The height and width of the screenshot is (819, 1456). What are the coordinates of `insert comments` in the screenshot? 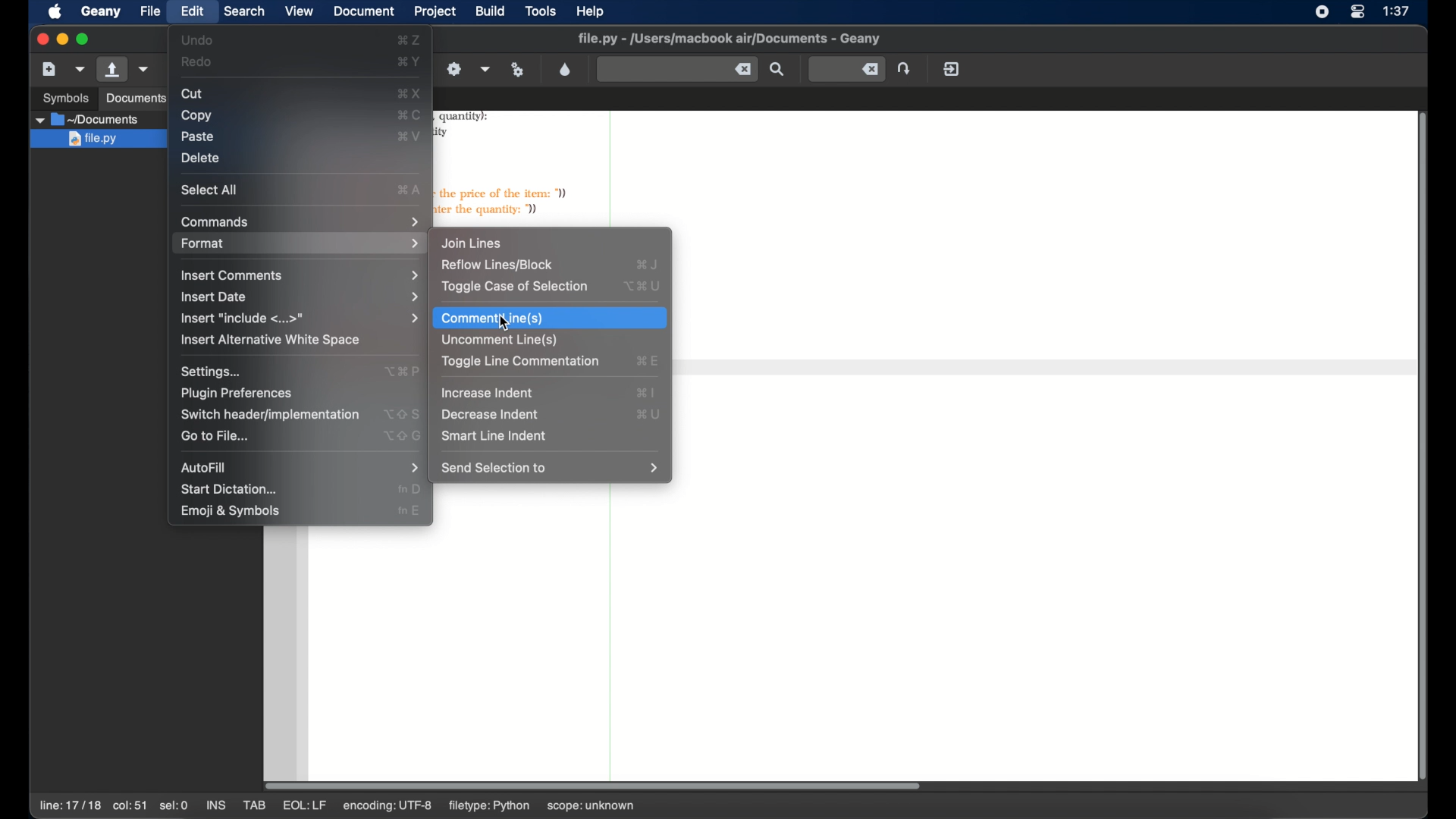 It's located at (300, 275).